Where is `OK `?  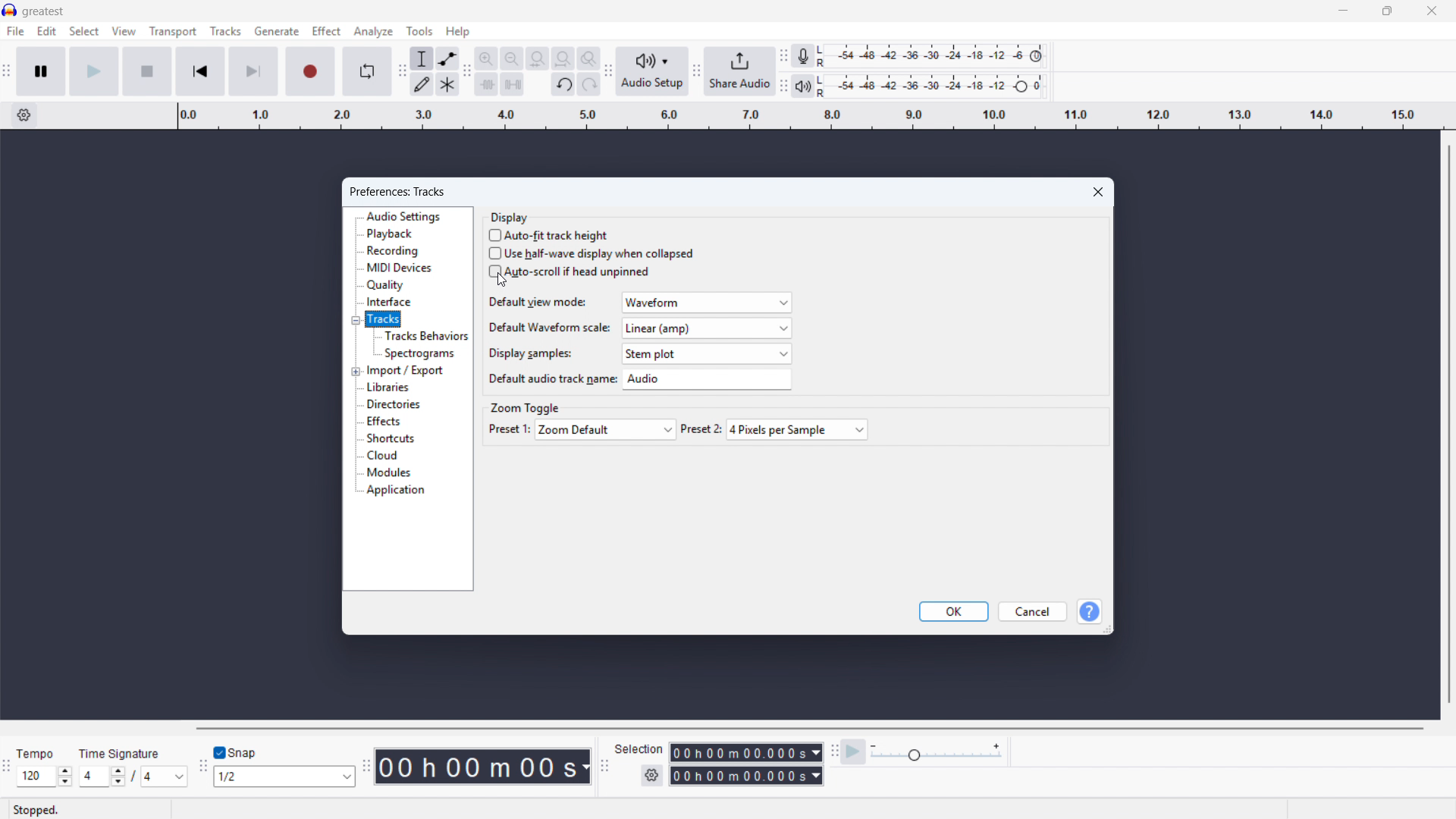 OK  is located at coordinates (953, 612).